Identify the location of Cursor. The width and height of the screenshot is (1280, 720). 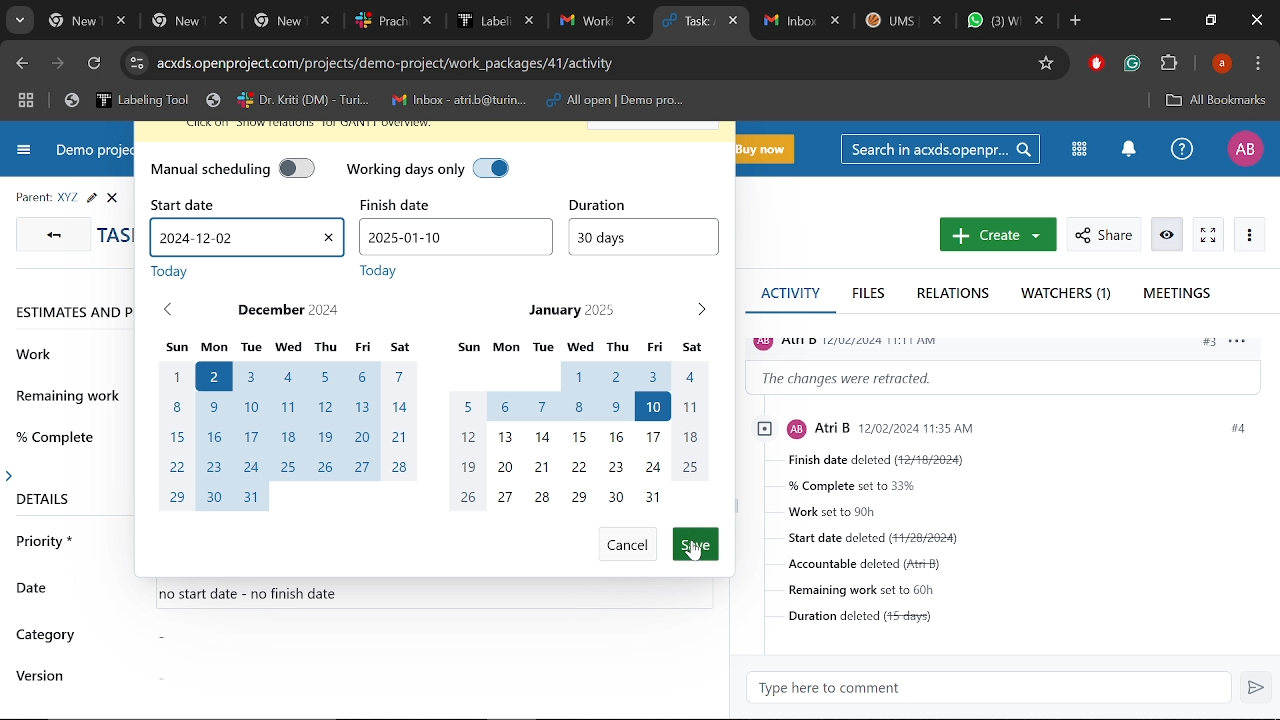
(695, 556).